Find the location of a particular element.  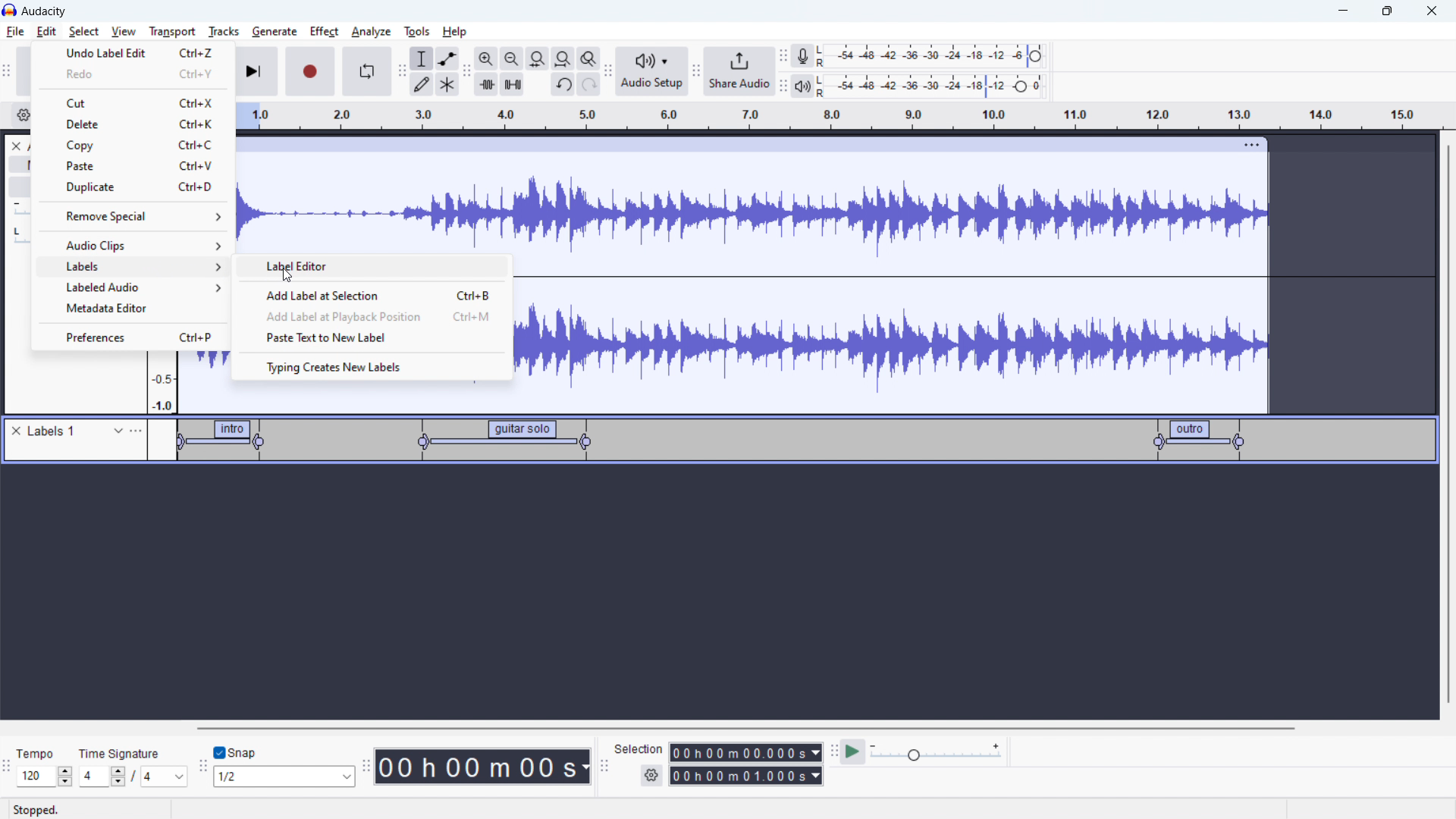

effect is located at coordinates (325, 32).